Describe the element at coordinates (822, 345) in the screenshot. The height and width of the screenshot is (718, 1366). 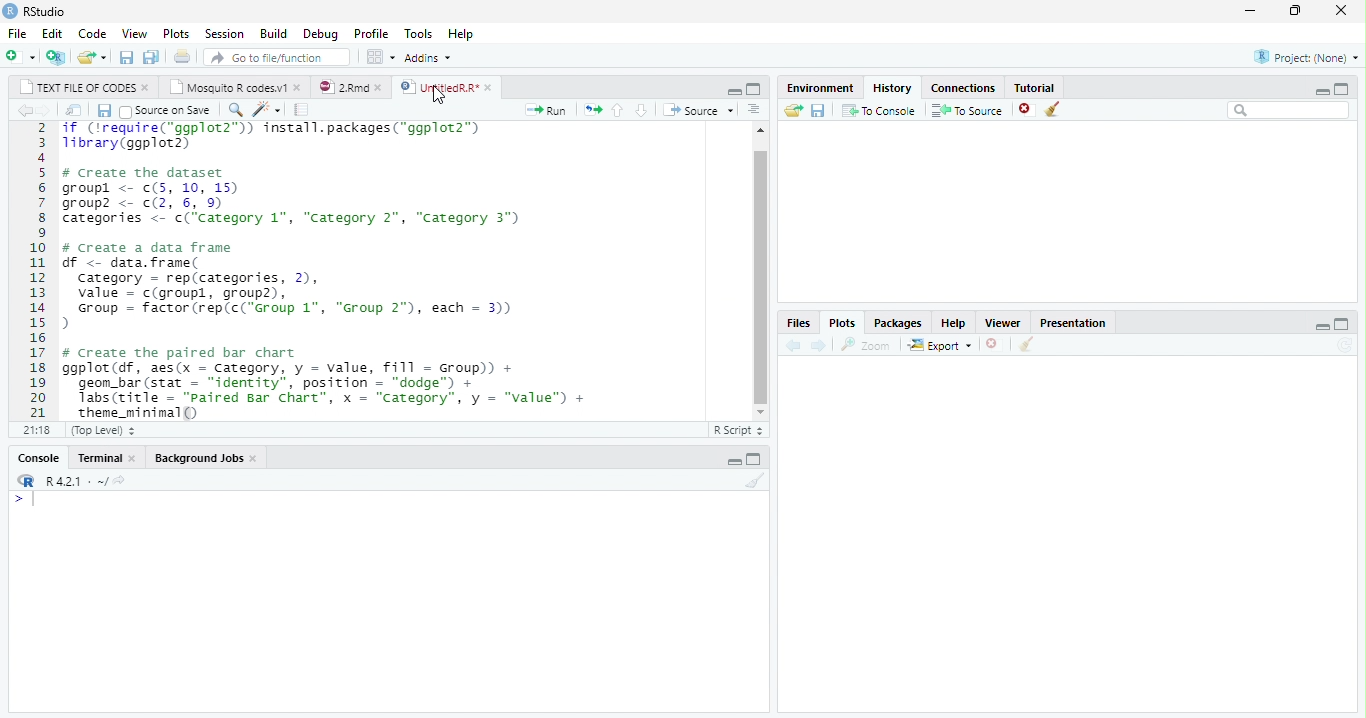
I see `next plot` at that location.